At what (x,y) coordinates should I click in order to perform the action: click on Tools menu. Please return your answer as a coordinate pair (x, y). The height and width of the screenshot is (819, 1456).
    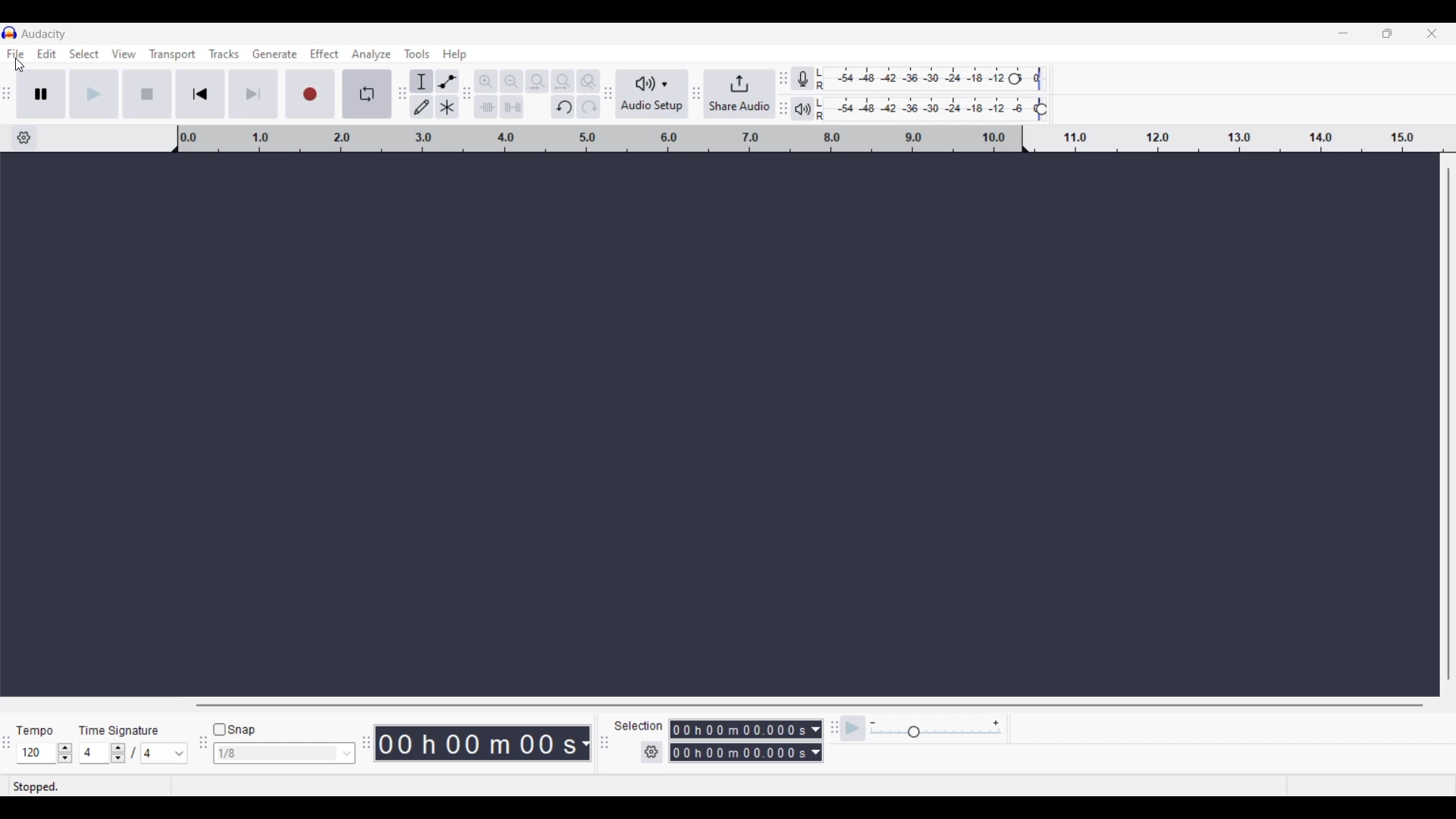
    Looking at the image, I should click on (418, 55).